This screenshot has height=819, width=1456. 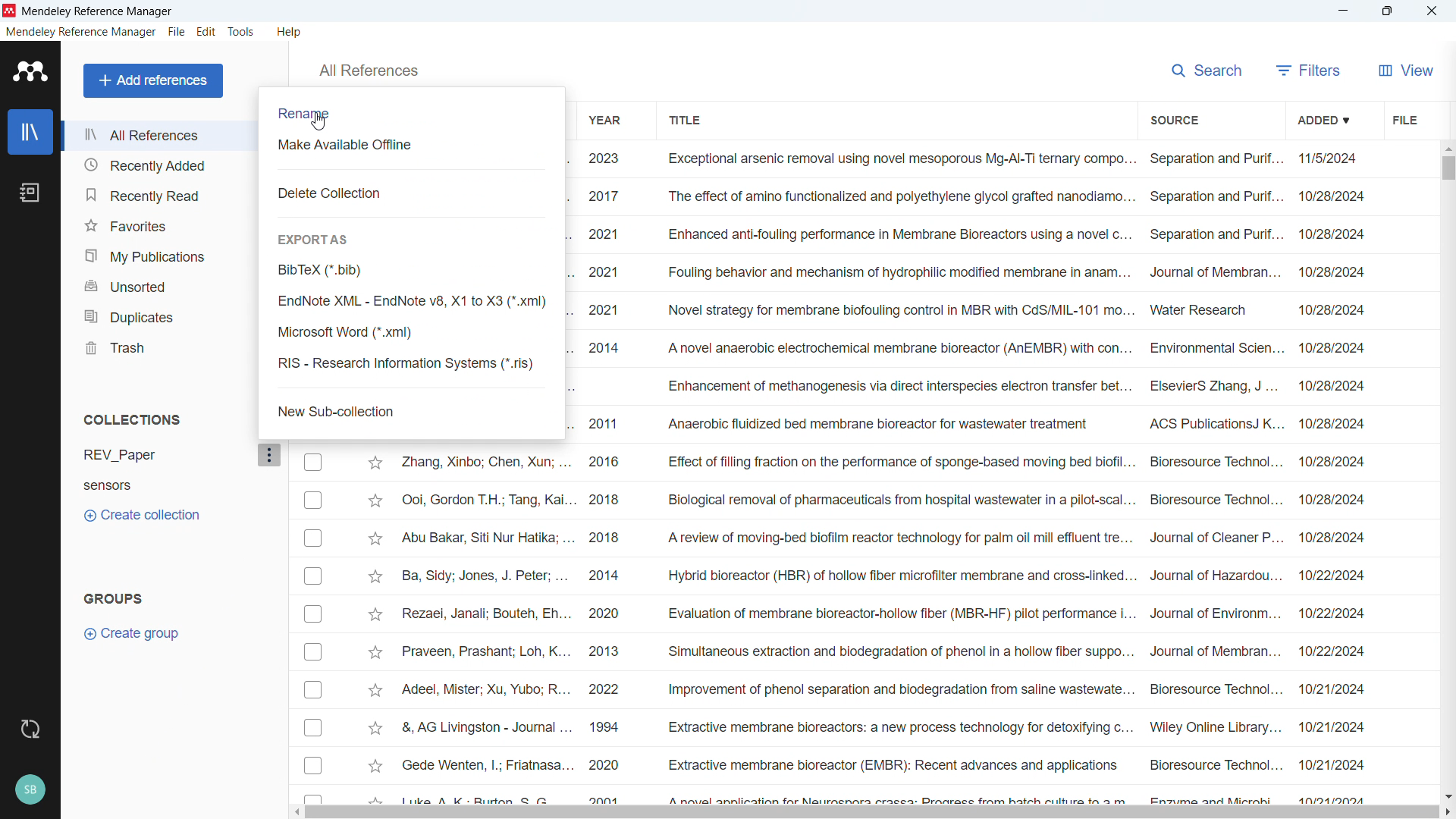 I want to click on filters, so click(x=1309, y=68).